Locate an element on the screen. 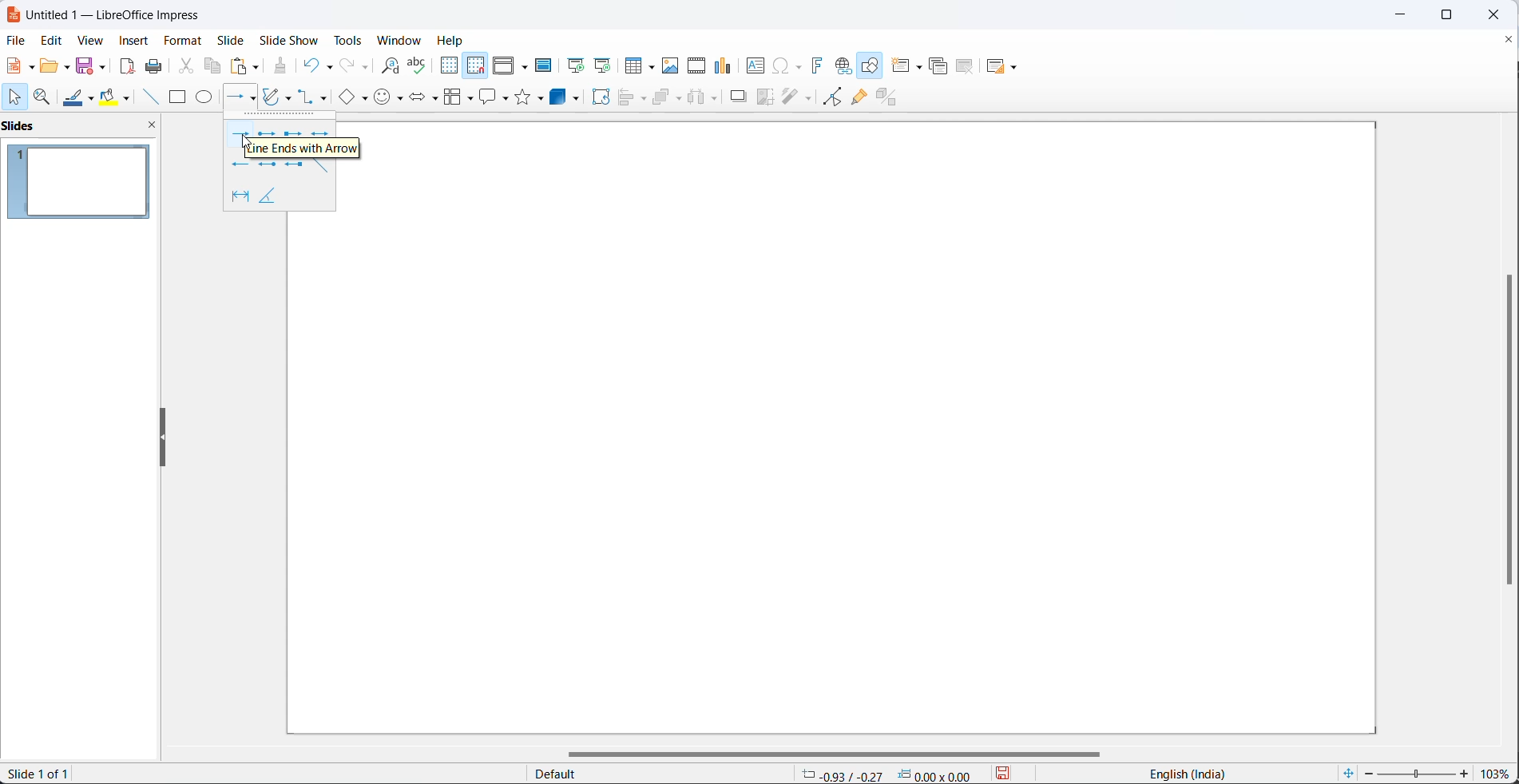 The height and width of the screenshot is (784, 1519). connectors is located at coordinates (315, 98).